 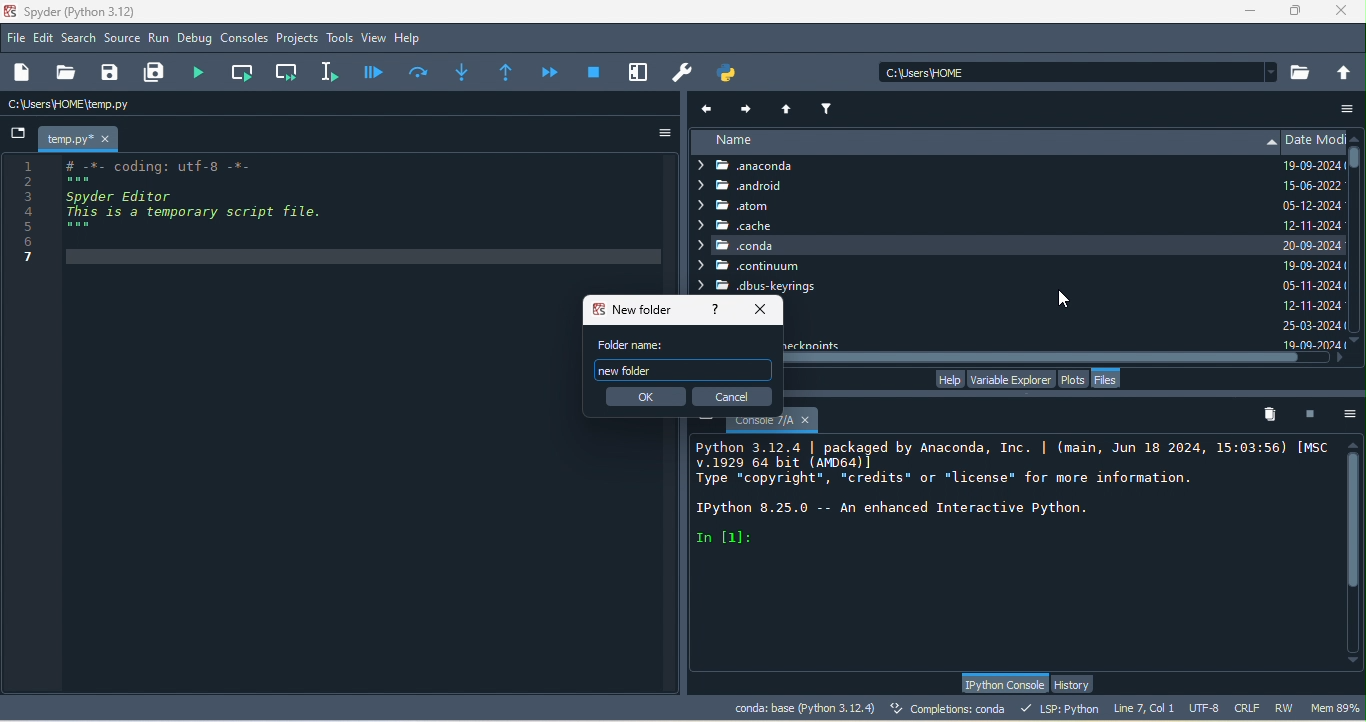 I want to click on atom, so click(x=763, y=206).